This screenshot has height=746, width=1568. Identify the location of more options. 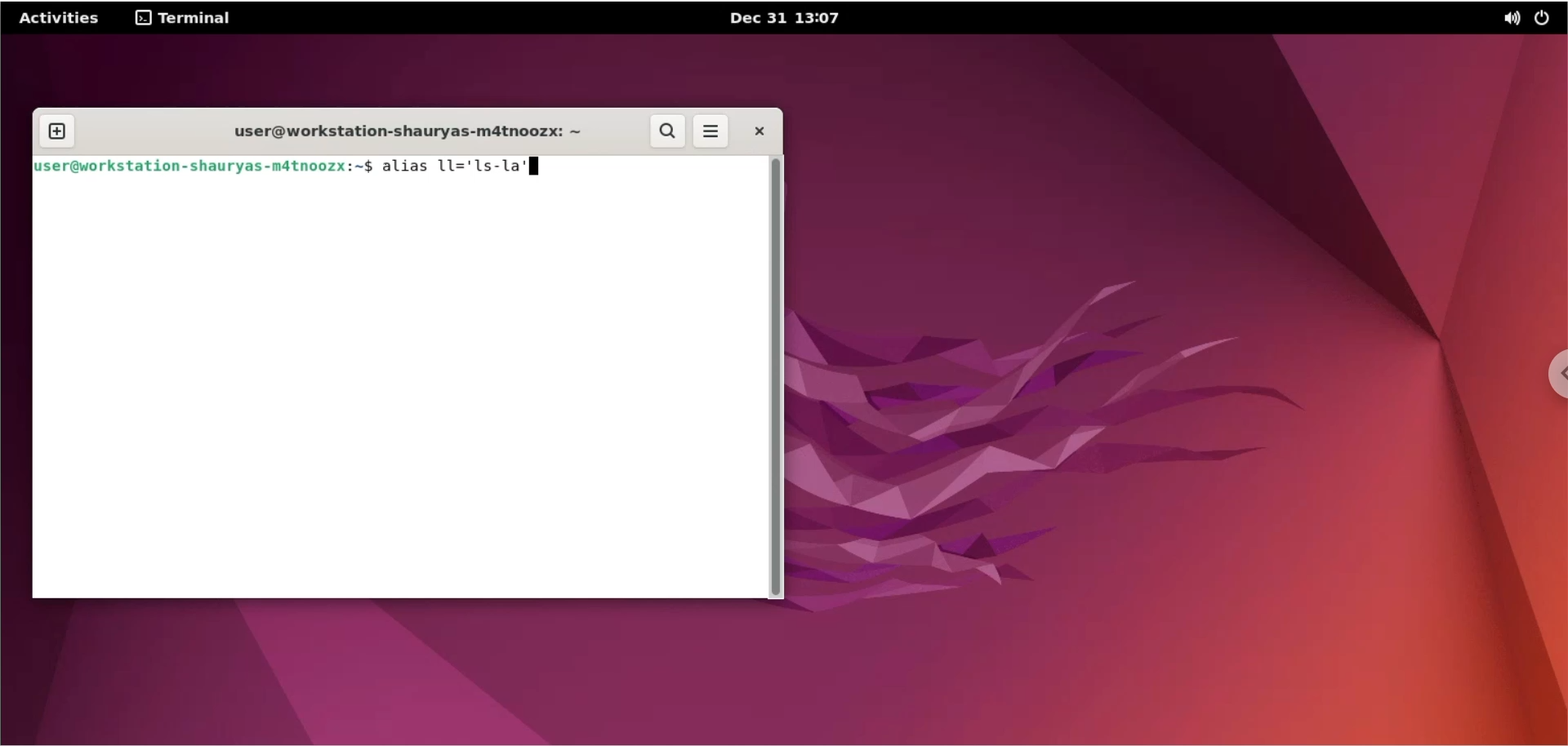
(709, 132).